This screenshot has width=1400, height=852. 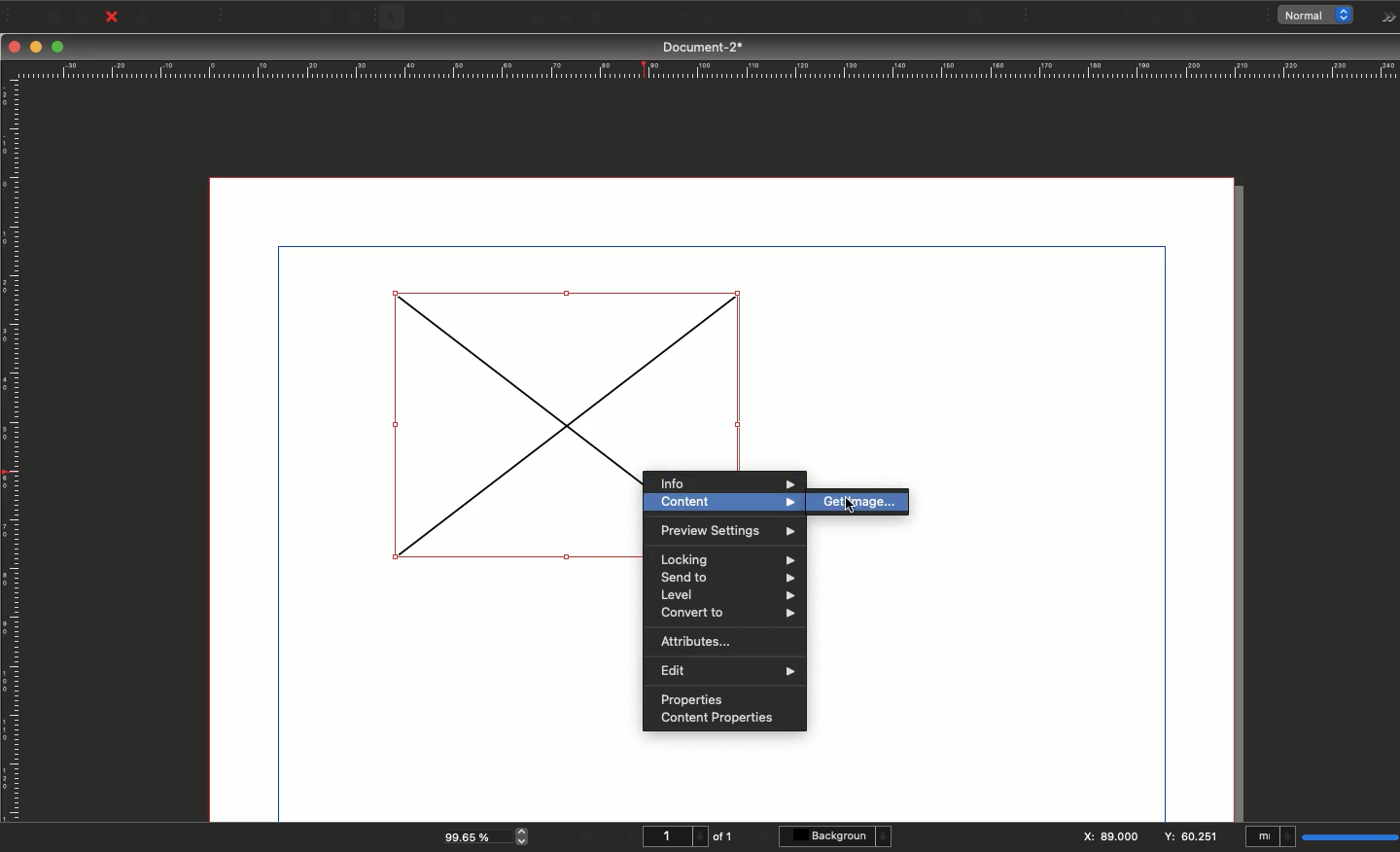 I want to click on Bézier curve, so click(x=681, y=18).